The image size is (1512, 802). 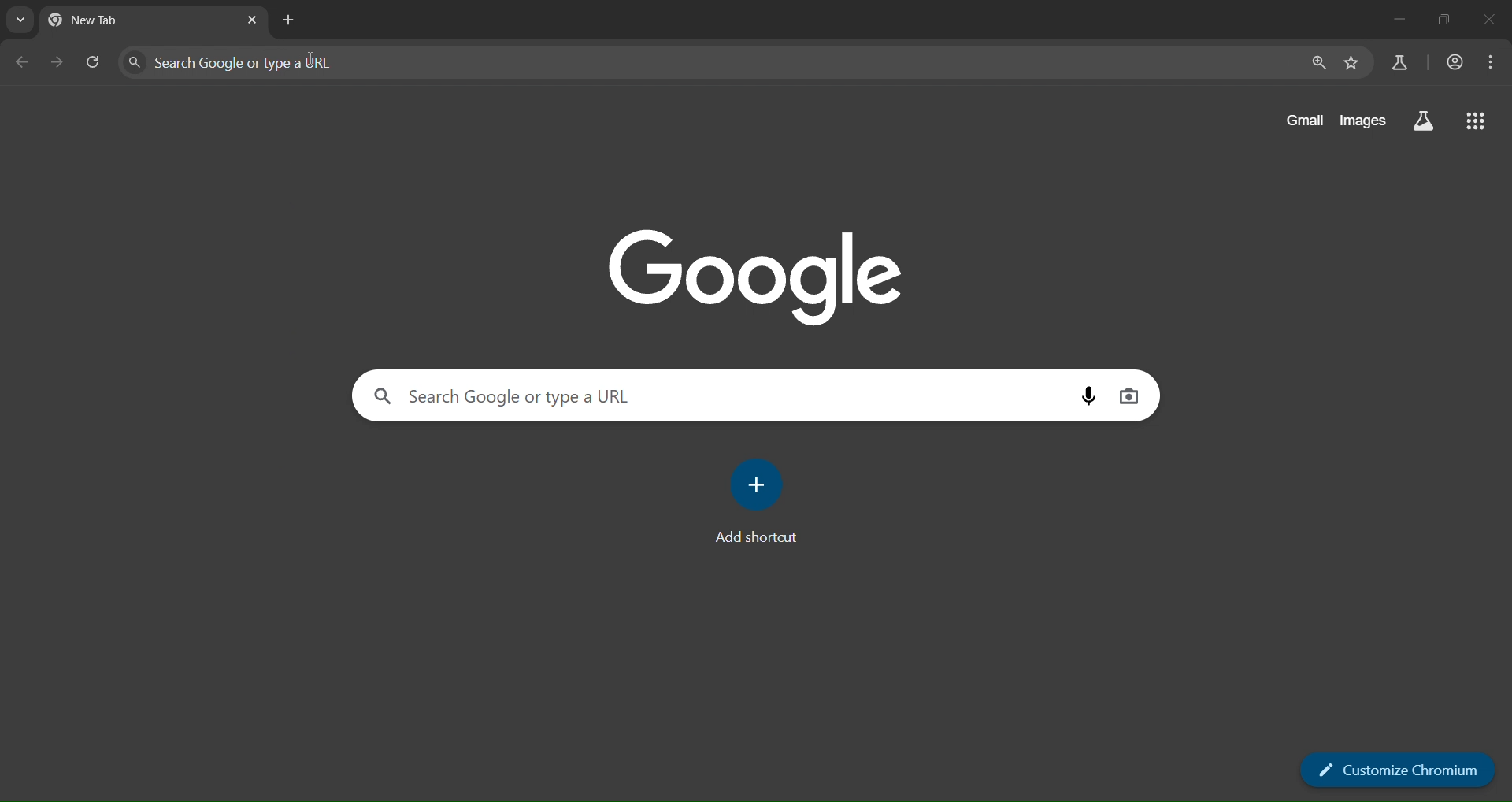 What do you see at coordinates (1397, 770) in the screenshot?
I see `customize chromium` at bounding box center [1397, 770].